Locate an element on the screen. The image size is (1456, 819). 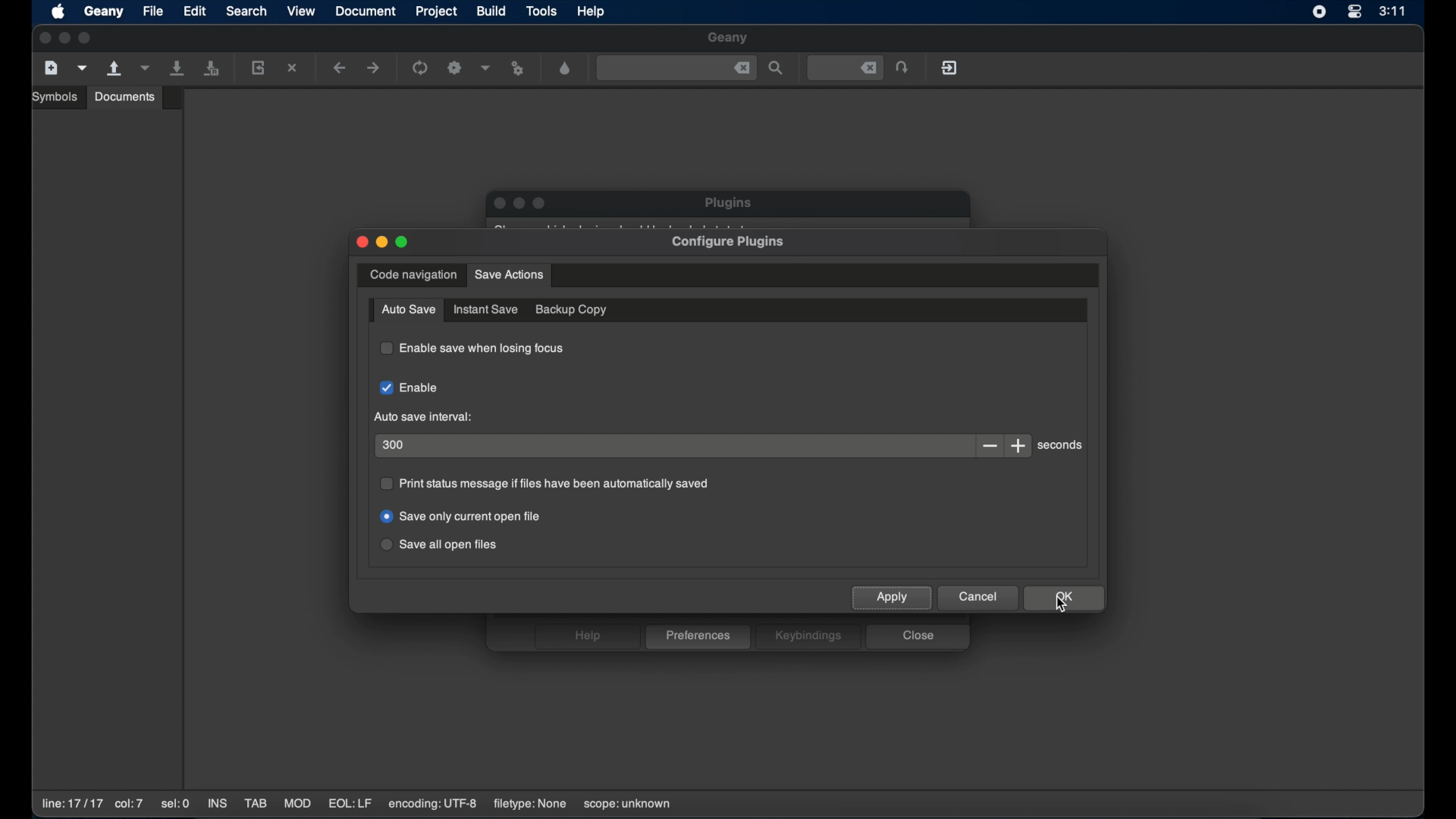
save only current open file radio button is located at coordinates (463, 517).